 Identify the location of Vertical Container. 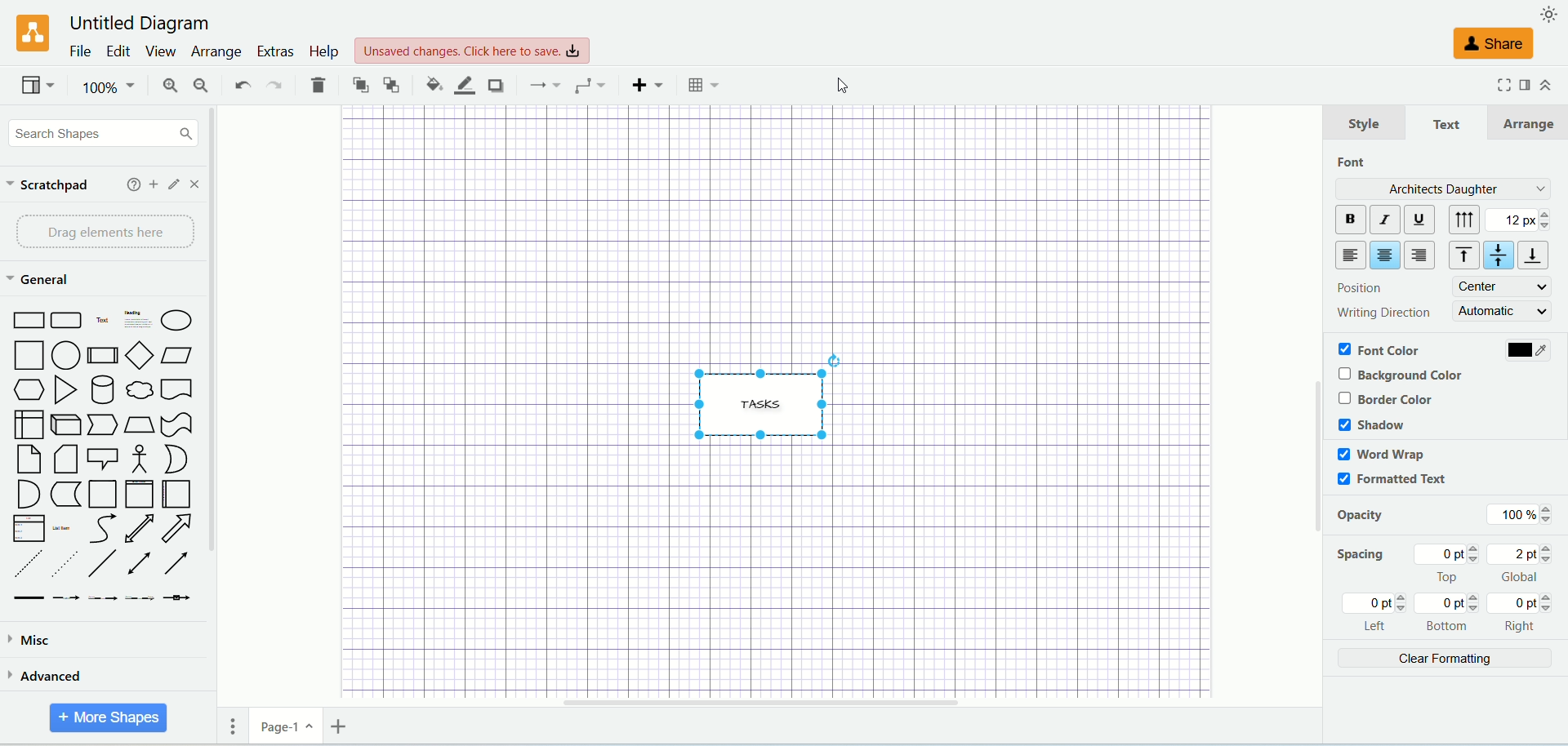
(139, 494).